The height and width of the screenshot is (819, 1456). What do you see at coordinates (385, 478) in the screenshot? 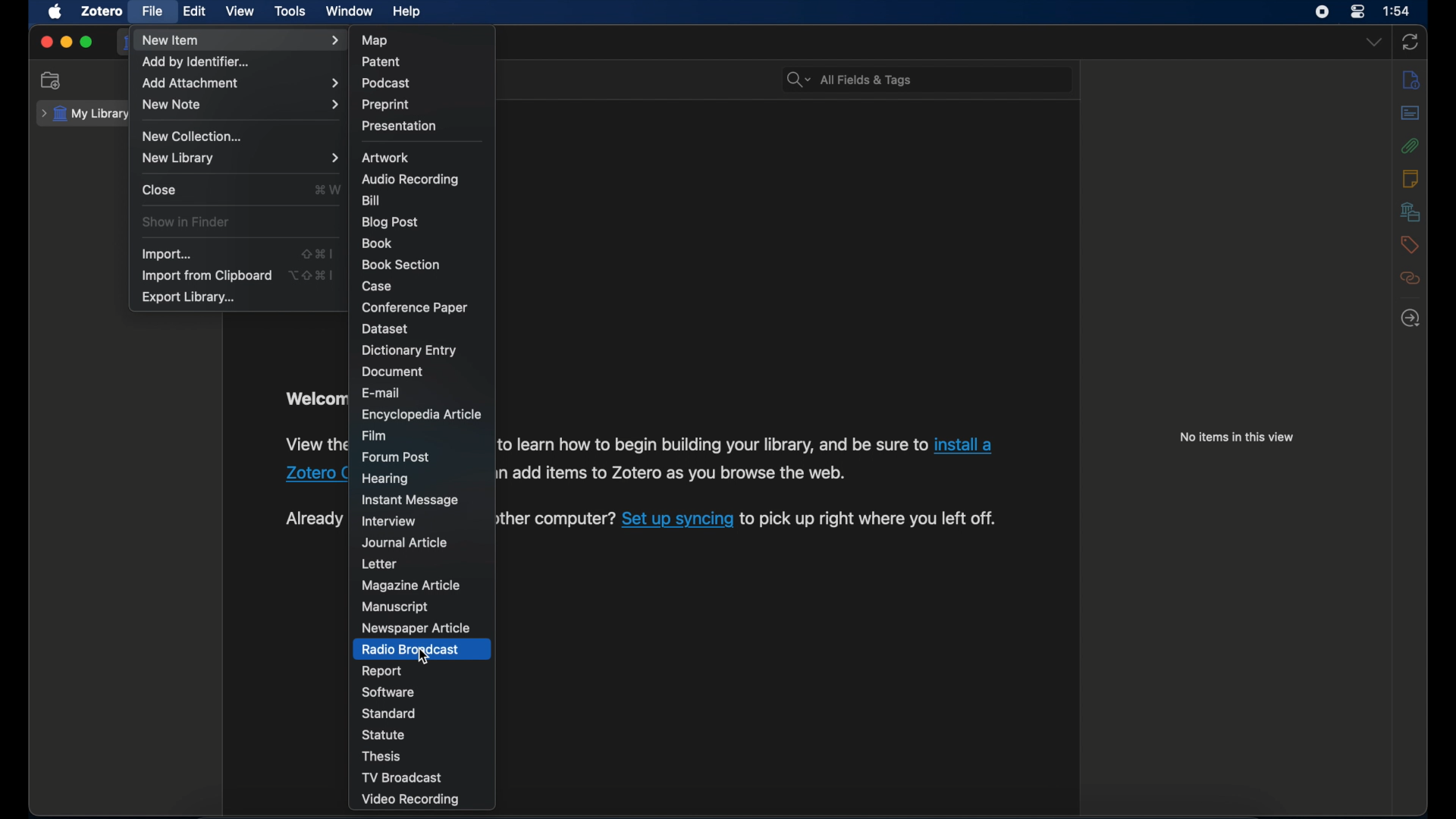
I see `hearing` at bounding box center [385, 478].